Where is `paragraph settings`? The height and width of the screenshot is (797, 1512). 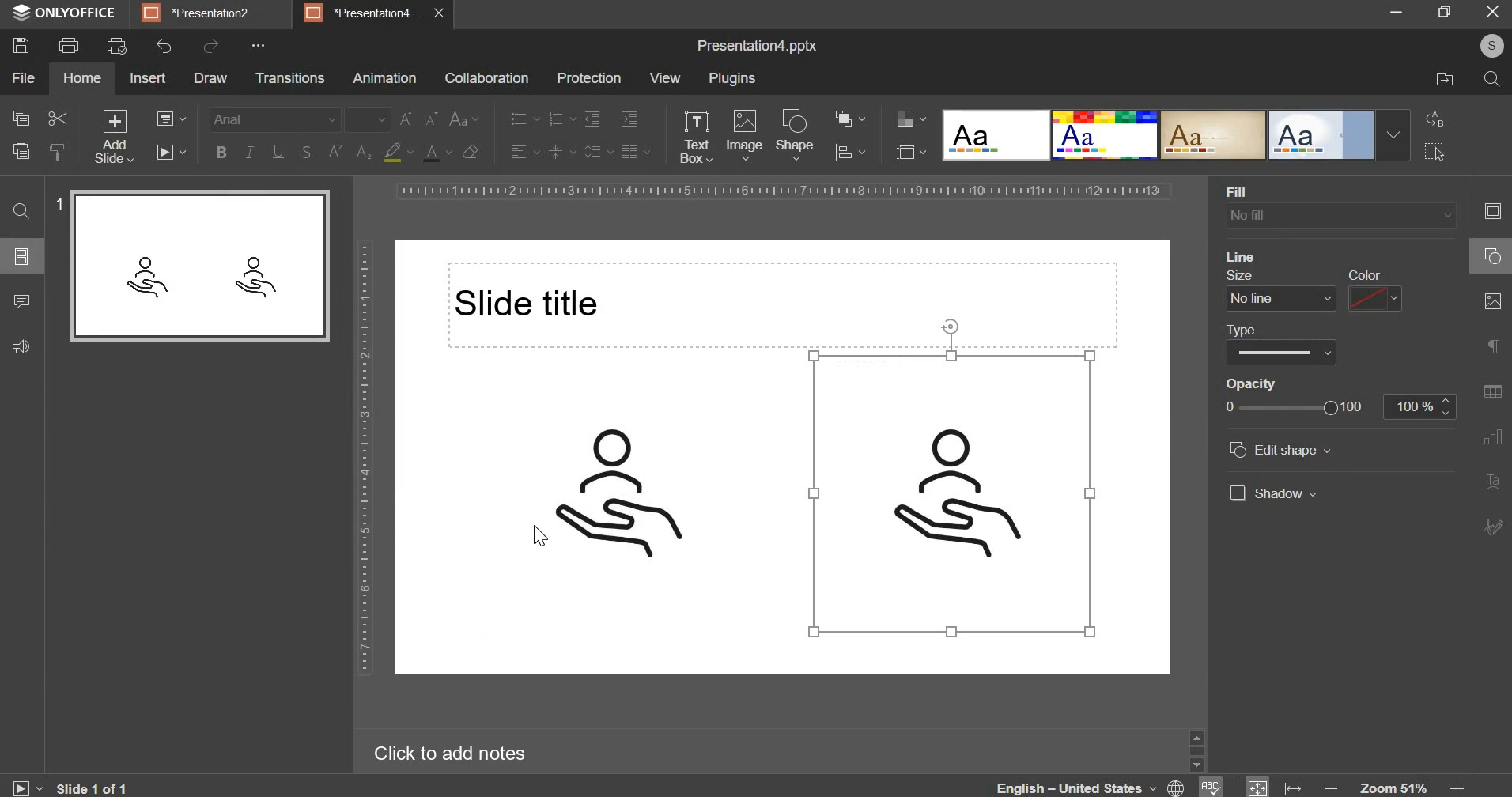 paragraph settings is located at coordinates (1491, 346).